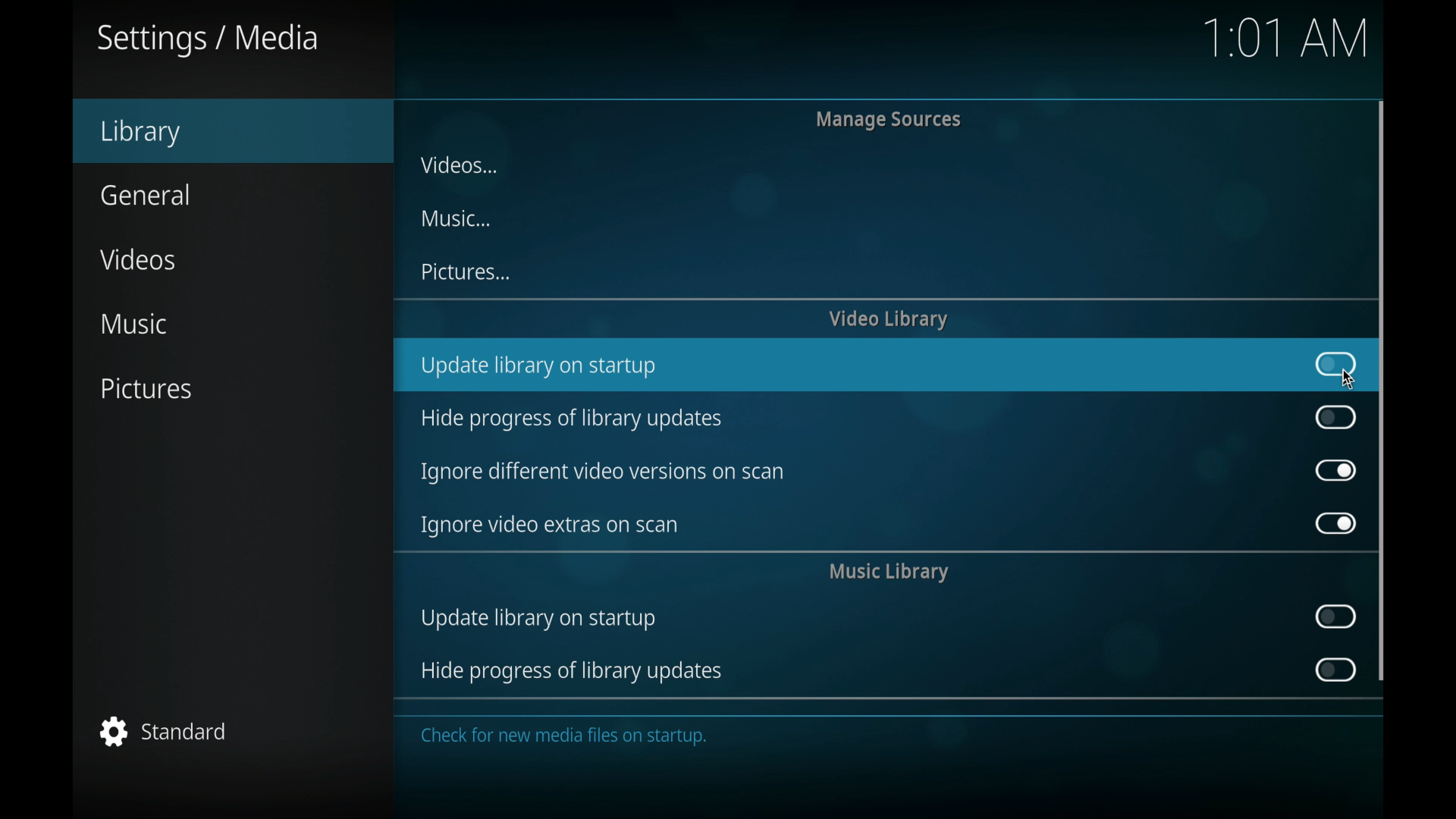 This screenshot has width=1456, height=819. Describe the element at coordinates (457, 164) in the screenshot. I see `videos` at that location.